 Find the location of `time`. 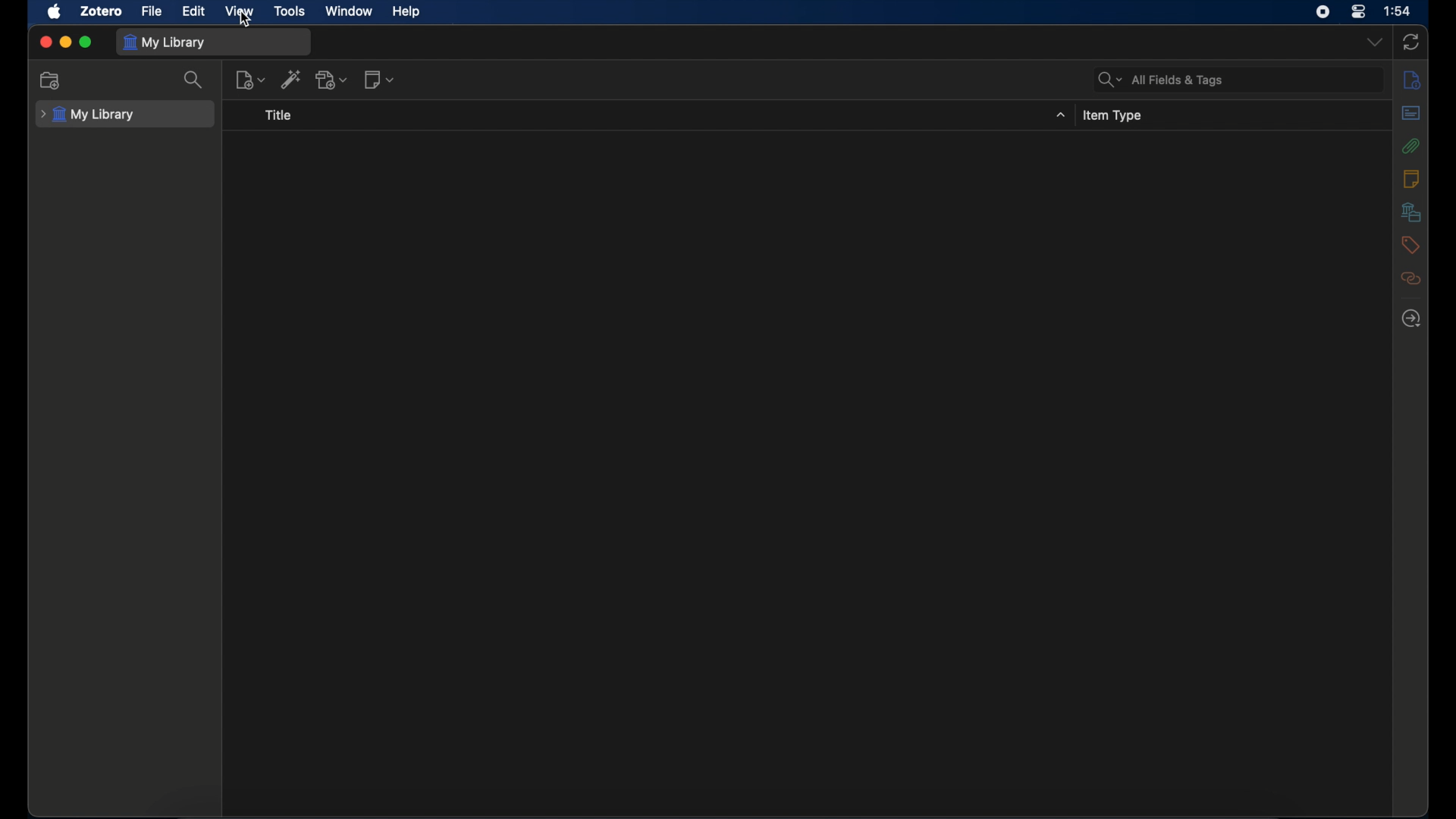

time is located at coordinates (1398, 11).